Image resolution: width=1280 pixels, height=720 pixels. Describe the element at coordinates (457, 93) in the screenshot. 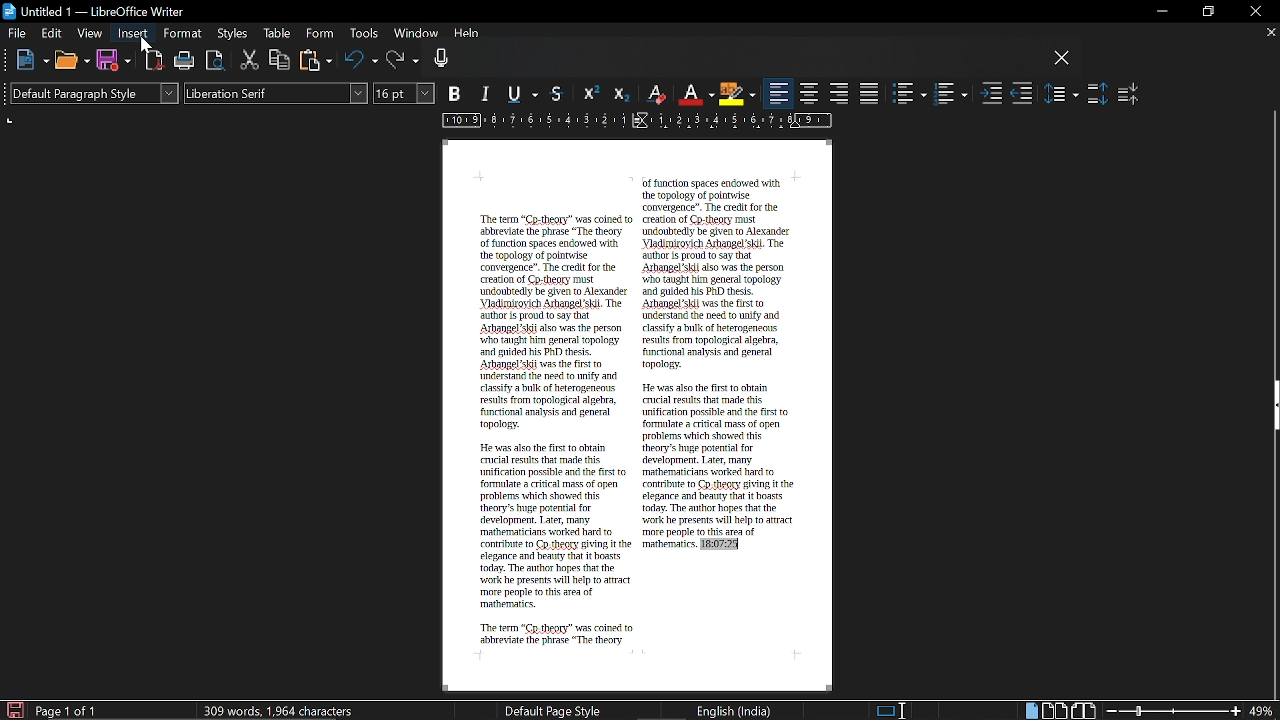

I see `BOld` at that location.